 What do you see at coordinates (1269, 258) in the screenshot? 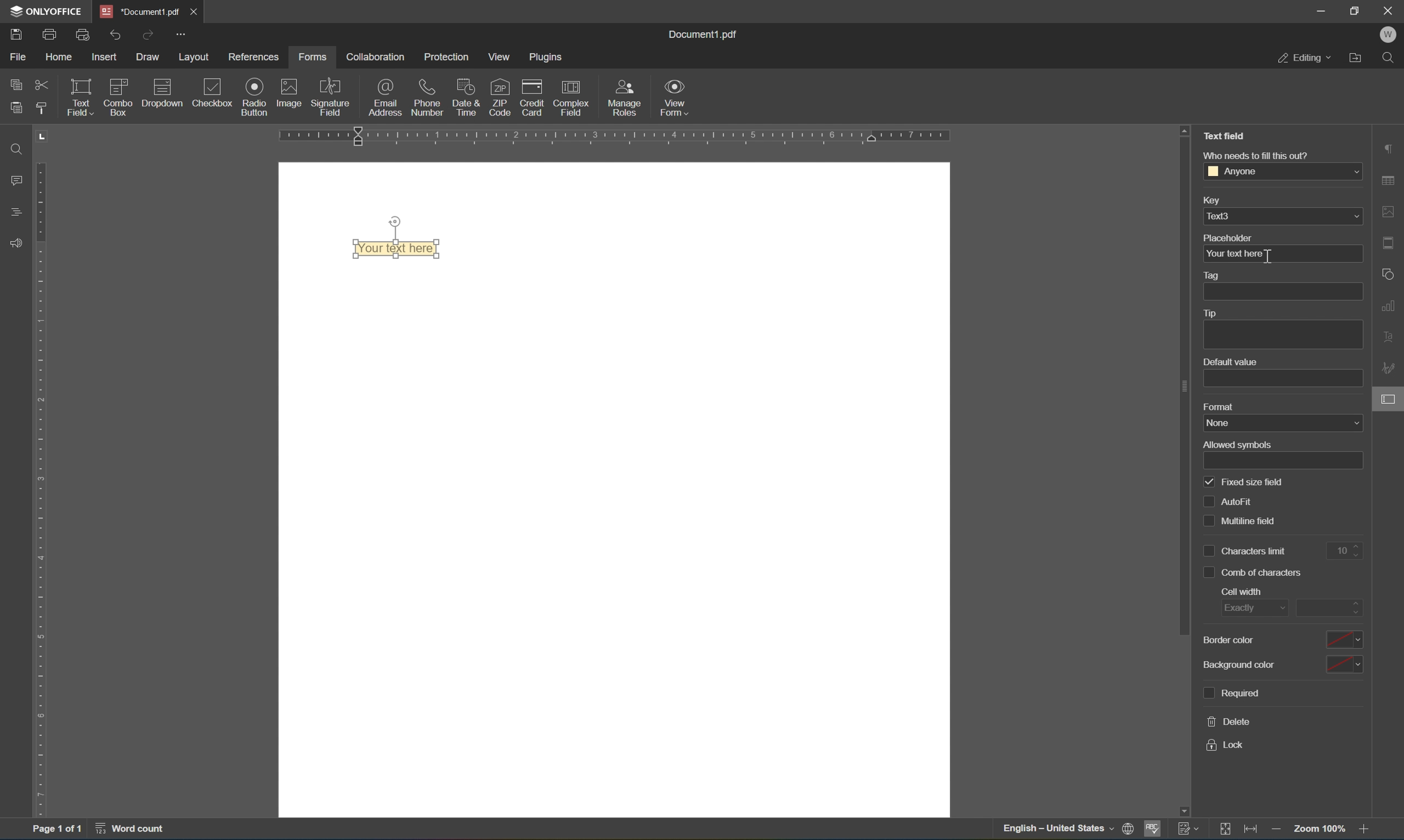
I see `cursor` at bounding box center [1269, 258].